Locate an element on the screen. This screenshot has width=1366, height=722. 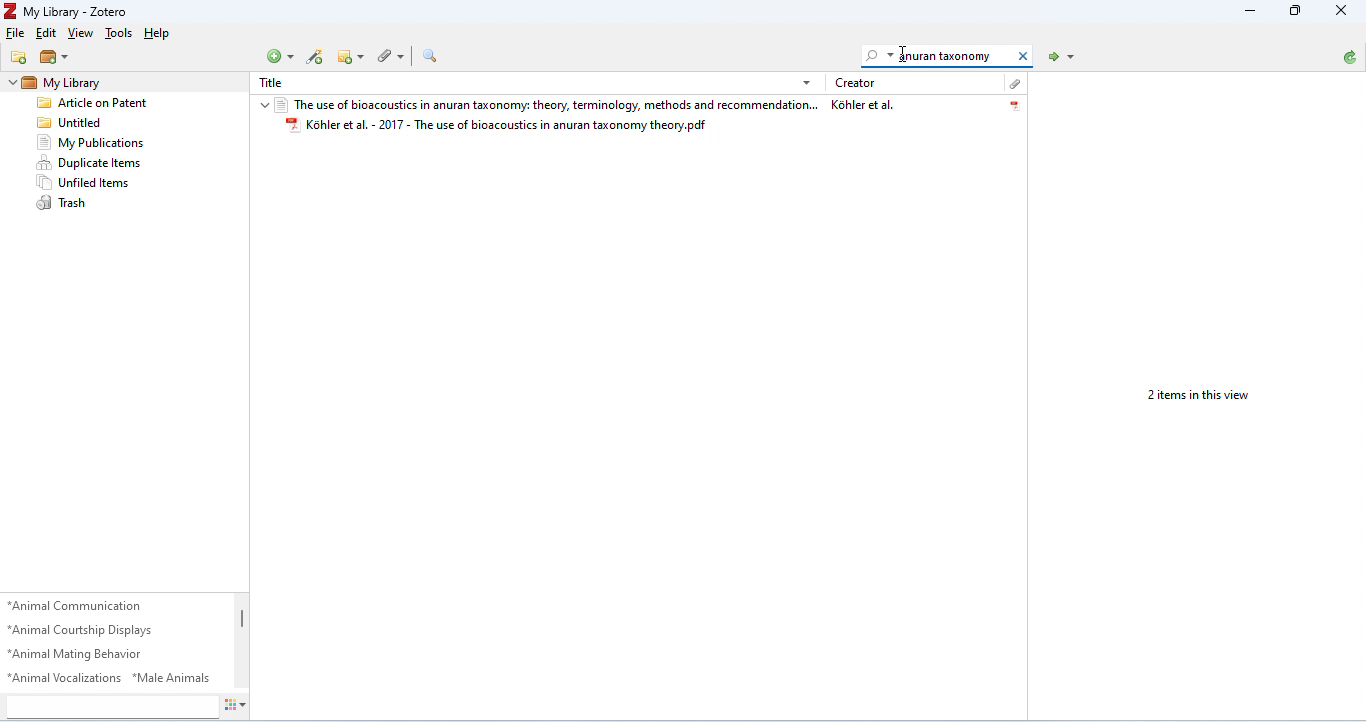
New Collection... is located at coordinates (20, 58).